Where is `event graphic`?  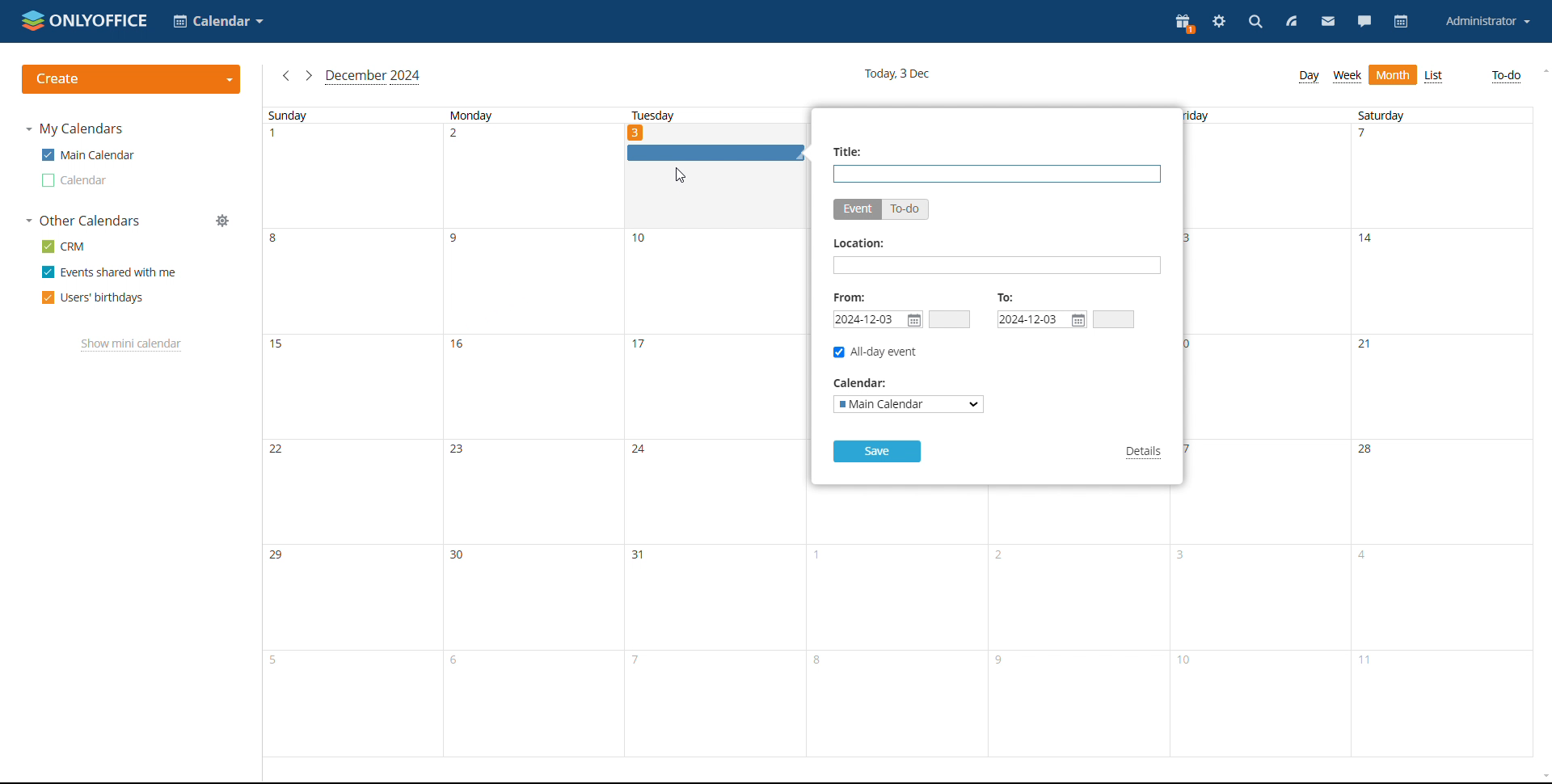 event graphic is located at coordinates (712, 154).